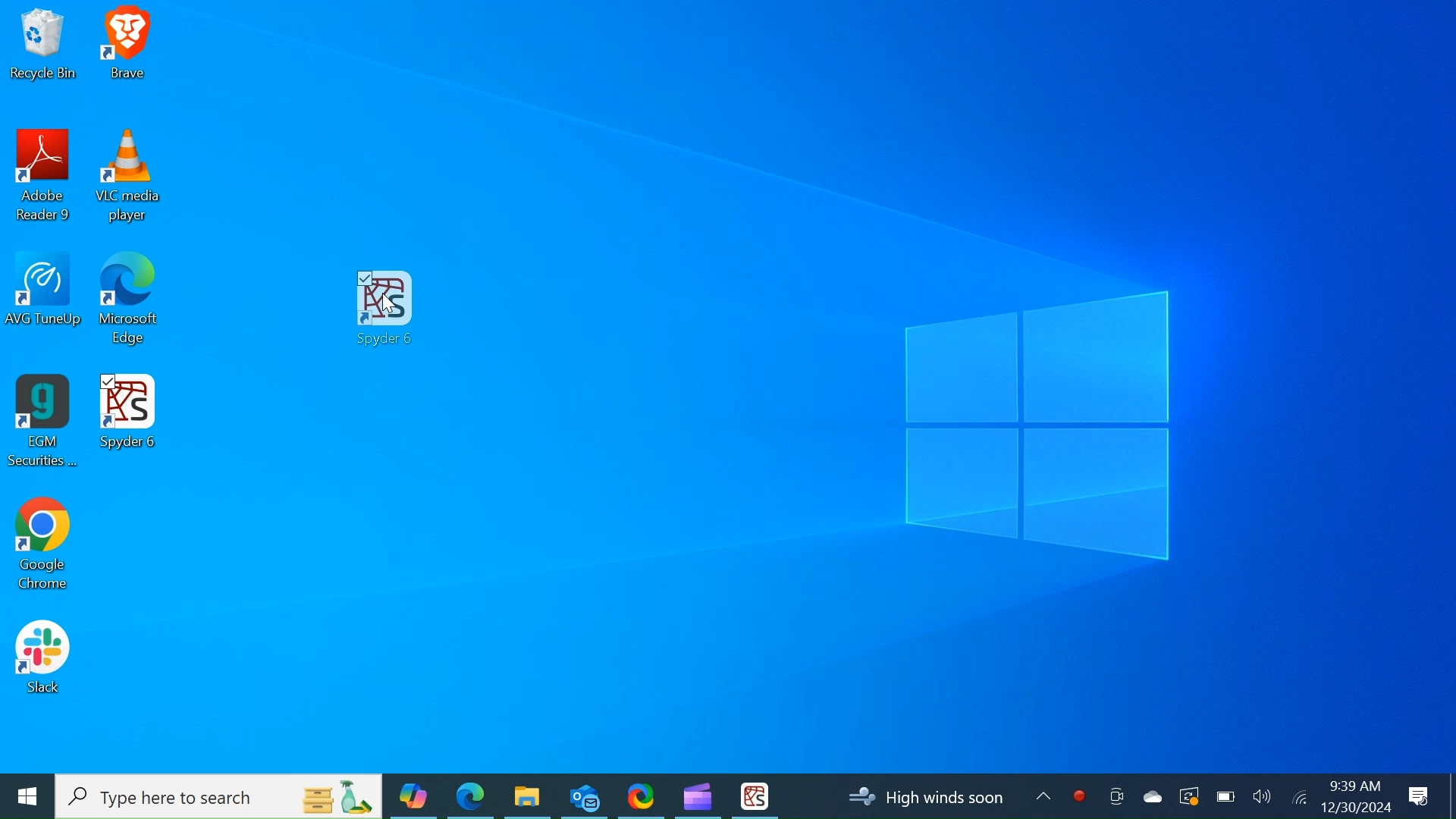 This screenshot has height=819, width=1456. Describe the element at coordinates (584, 795) in the screenshot. I see `Outlook Desktop Icon` at that location.